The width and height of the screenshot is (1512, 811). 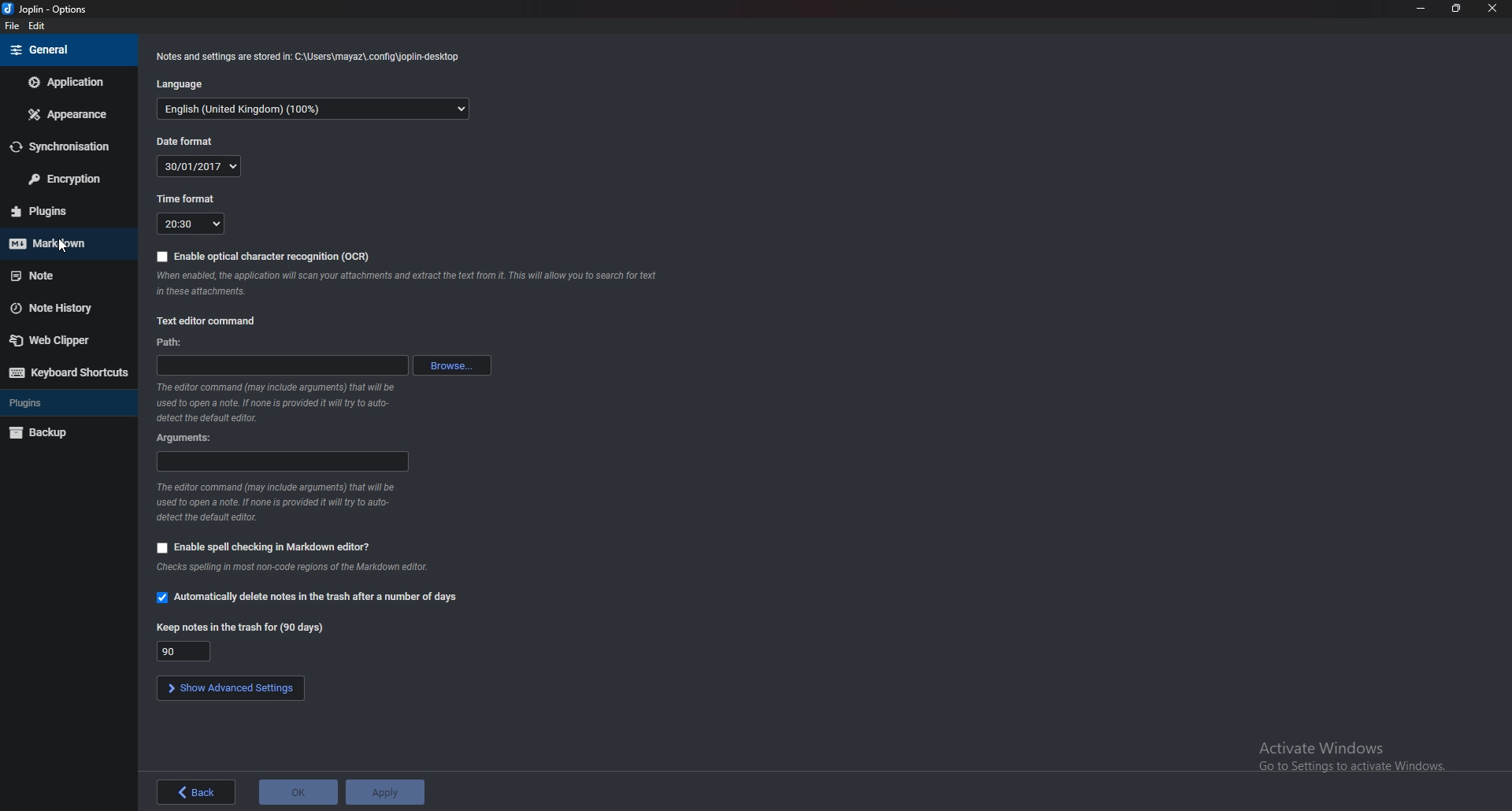 What do you see at coordinates (67, 432) in the screenshot?
I see `Back up` at bounding box center [67, 432].